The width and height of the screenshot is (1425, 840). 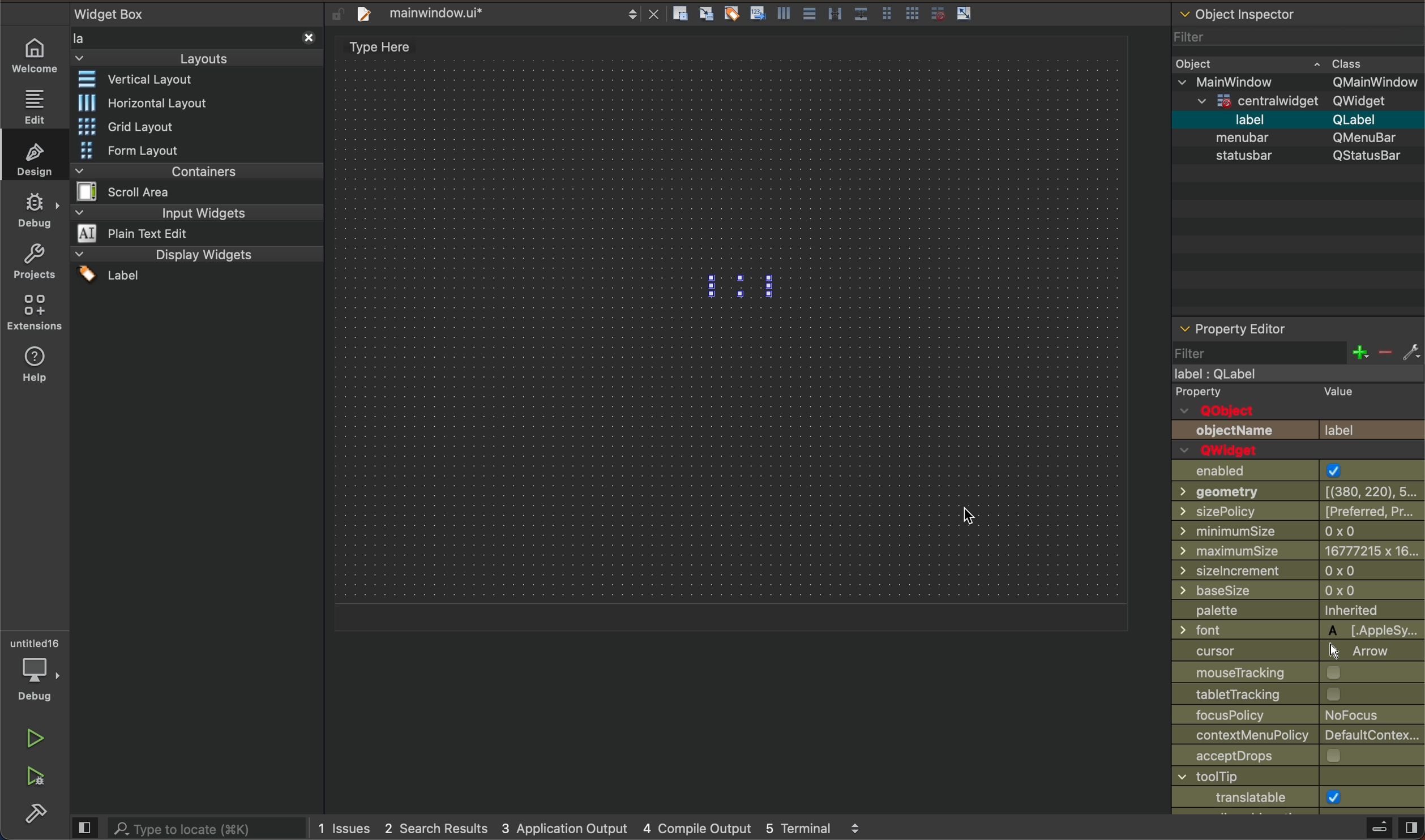 What do you see at coordinates (985, 517) in the screenshot?
I see `cursor` at bounding box center [985, 517].